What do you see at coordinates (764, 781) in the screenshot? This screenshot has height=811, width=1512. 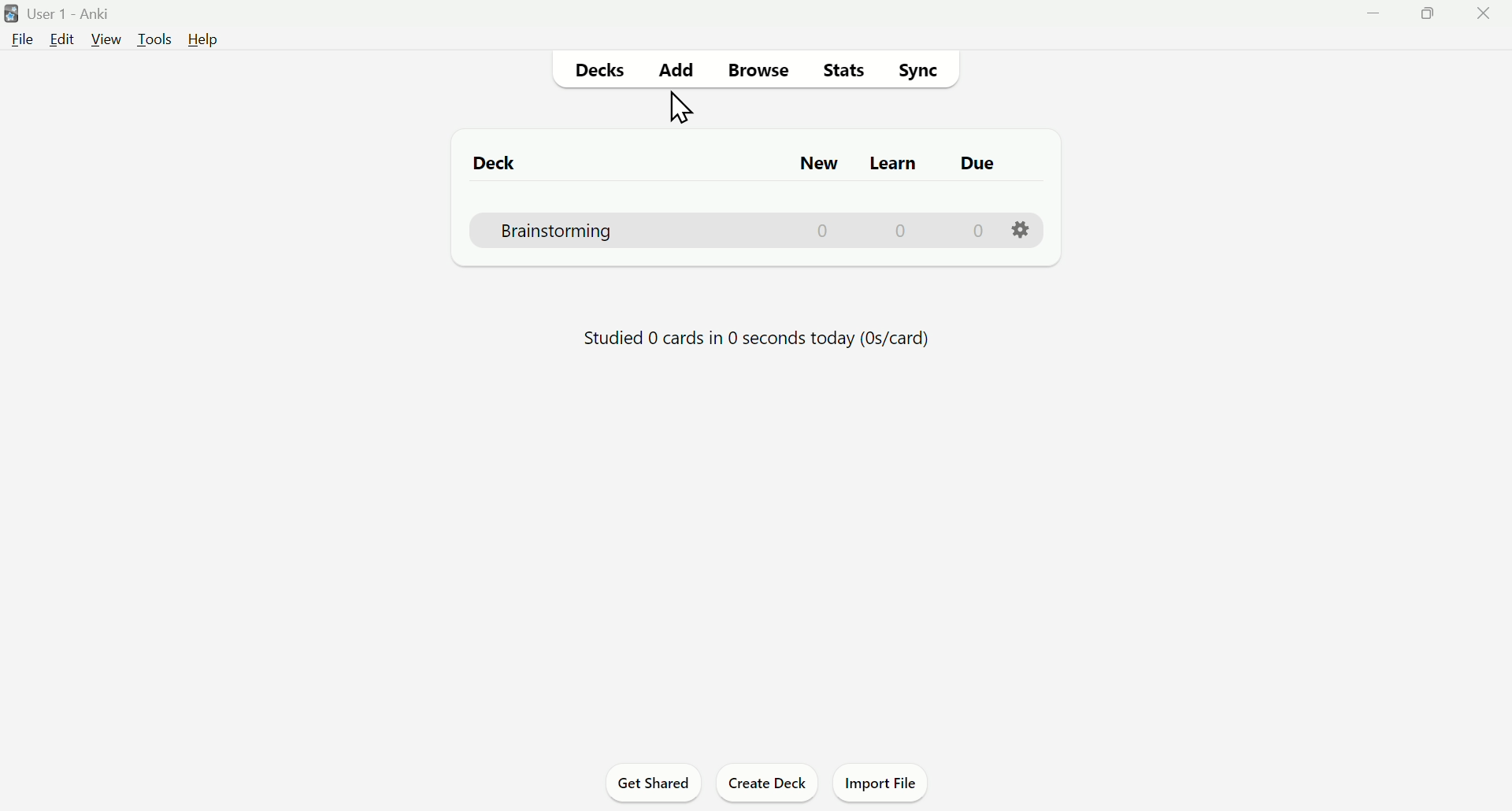 I see `Create Deck` at bounding box center [764, 781].